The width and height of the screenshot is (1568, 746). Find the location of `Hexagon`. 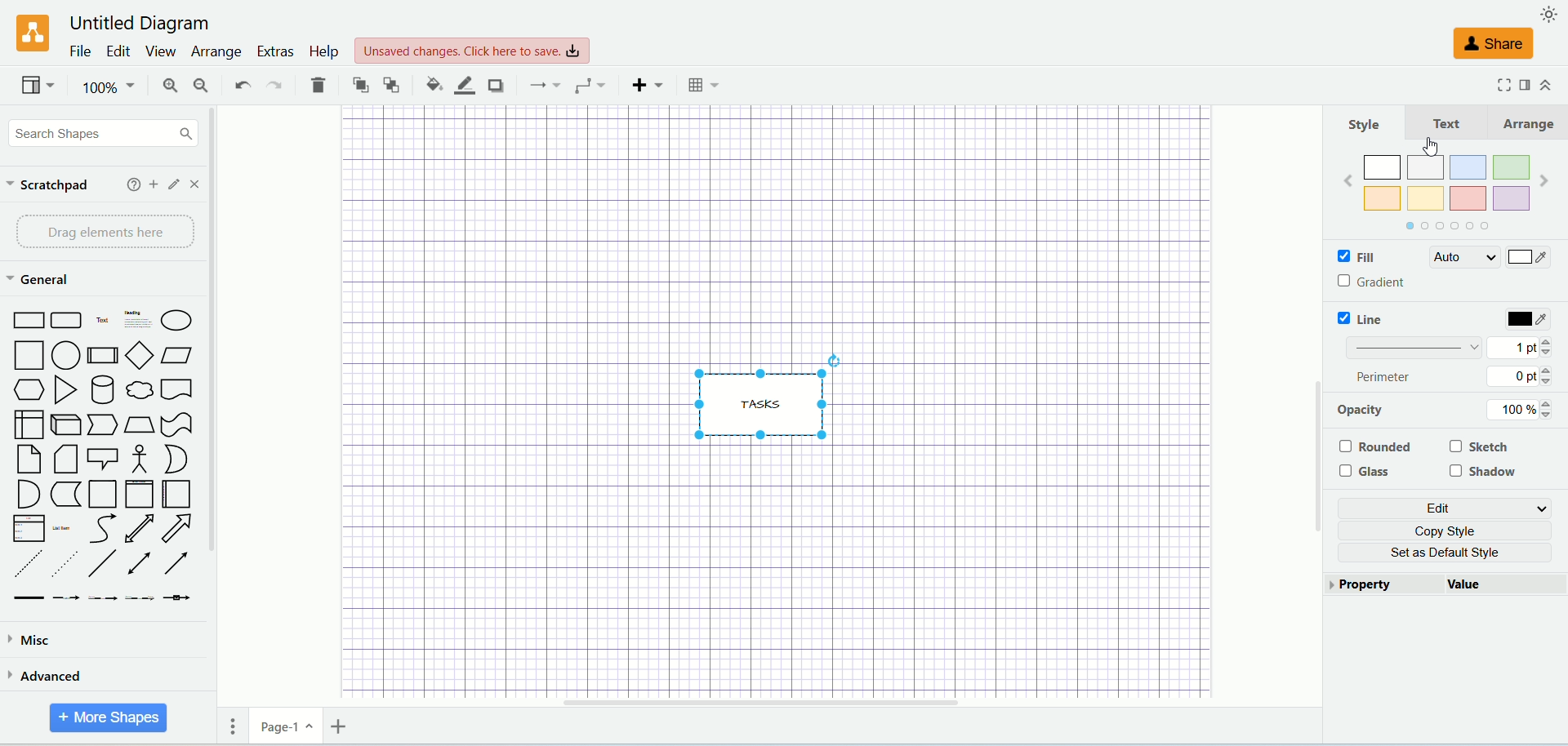

Hexagon is located at coordinates (26, 389).